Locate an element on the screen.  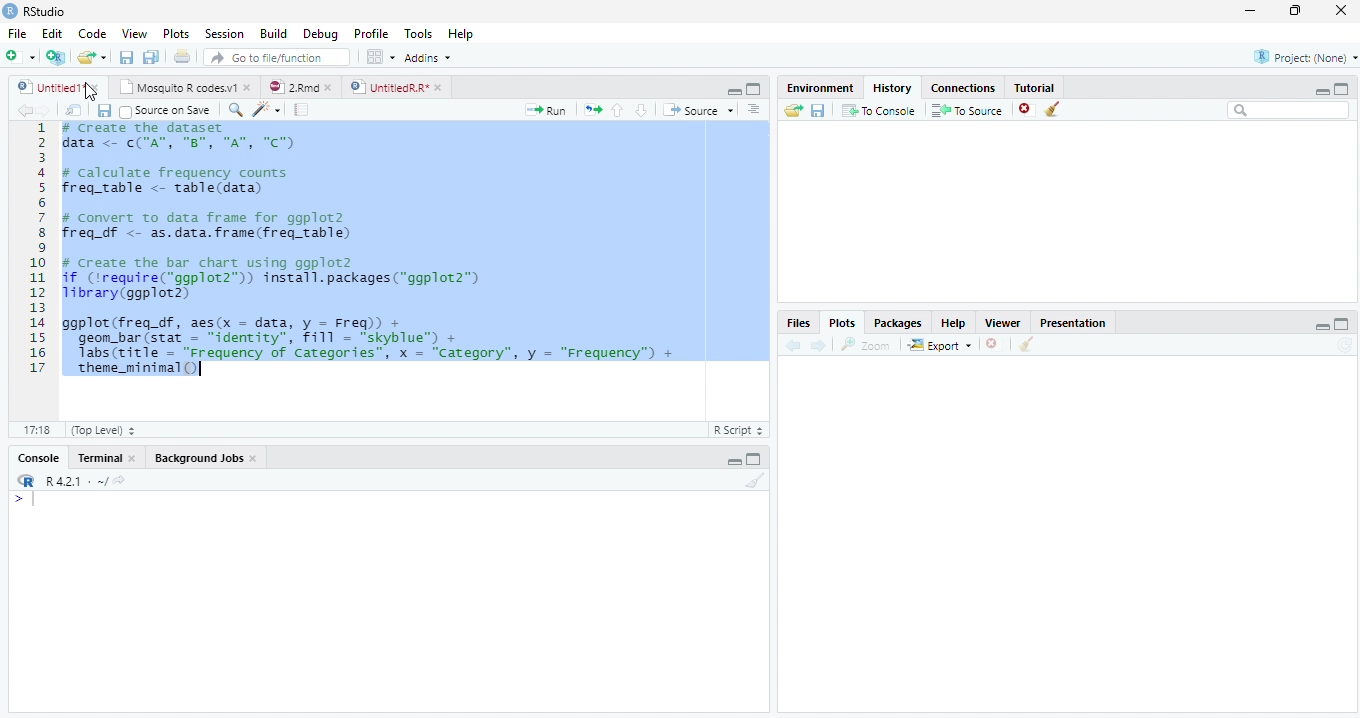
Help is located at coordinates (462, 33).